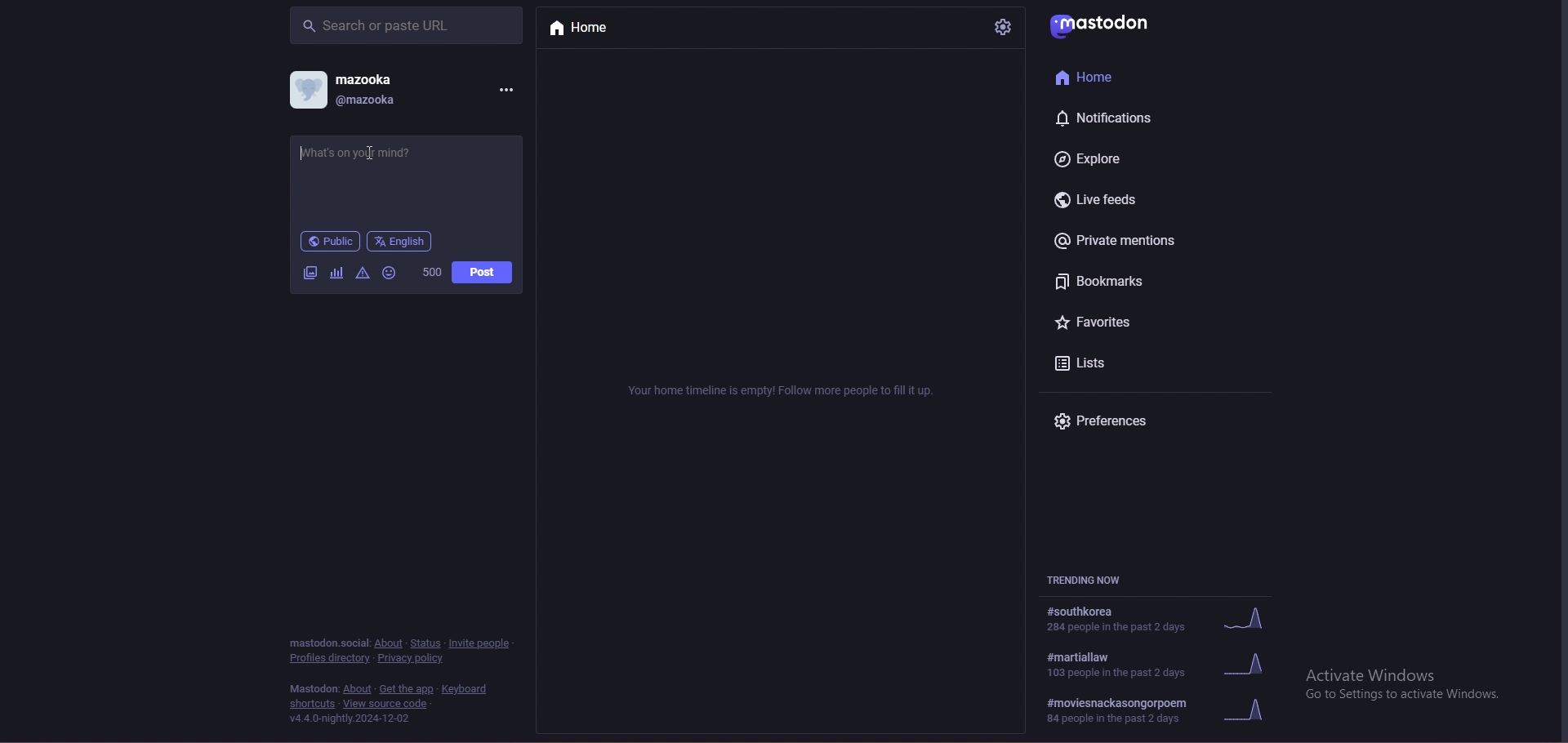 This screenshot has height=743, width=1568. I want to click on shortcuts, so click(312, 704).